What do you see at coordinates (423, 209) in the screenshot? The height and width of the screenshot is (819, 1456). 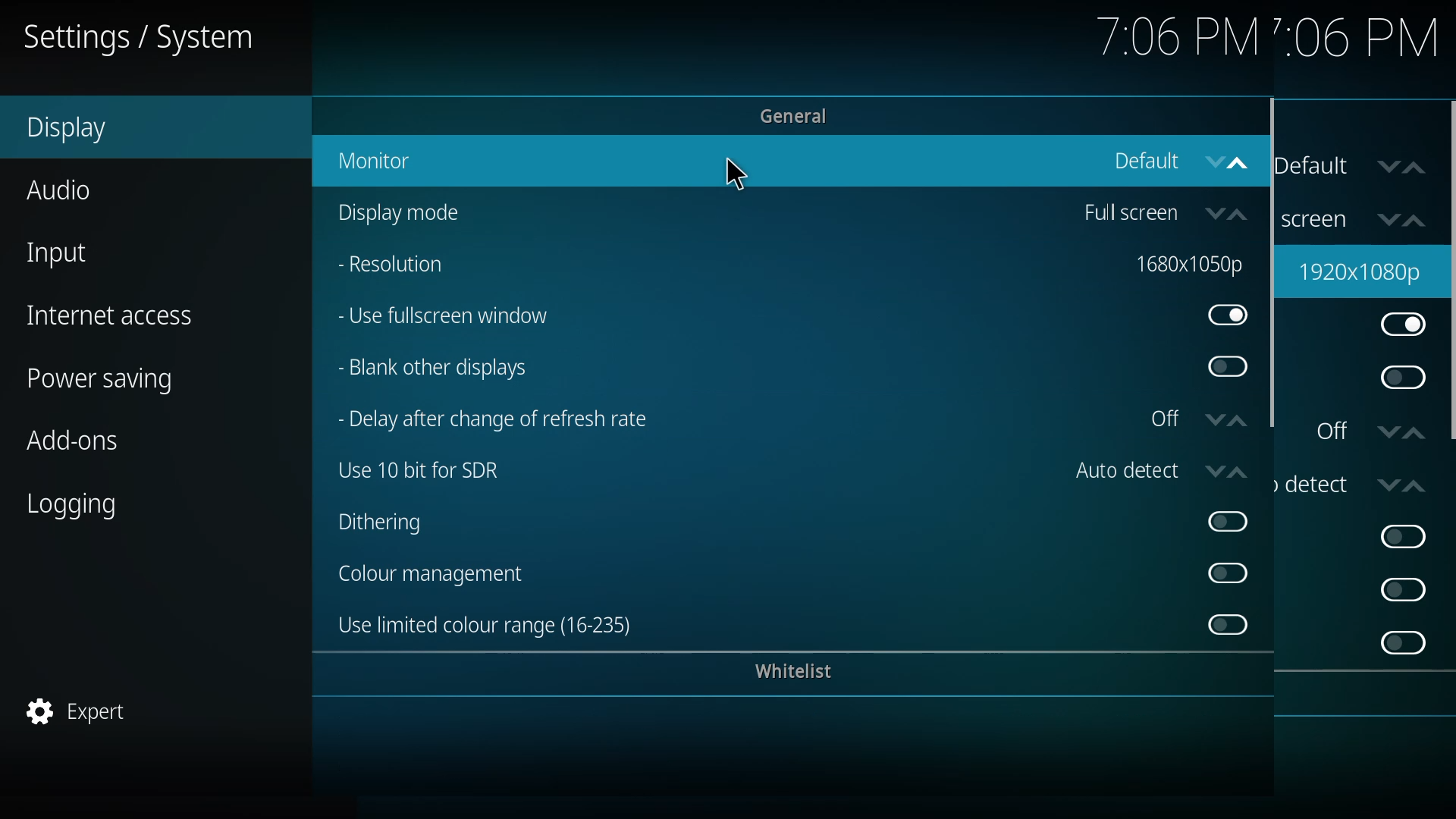 I see `display mode` at bounding box center [423, 209].